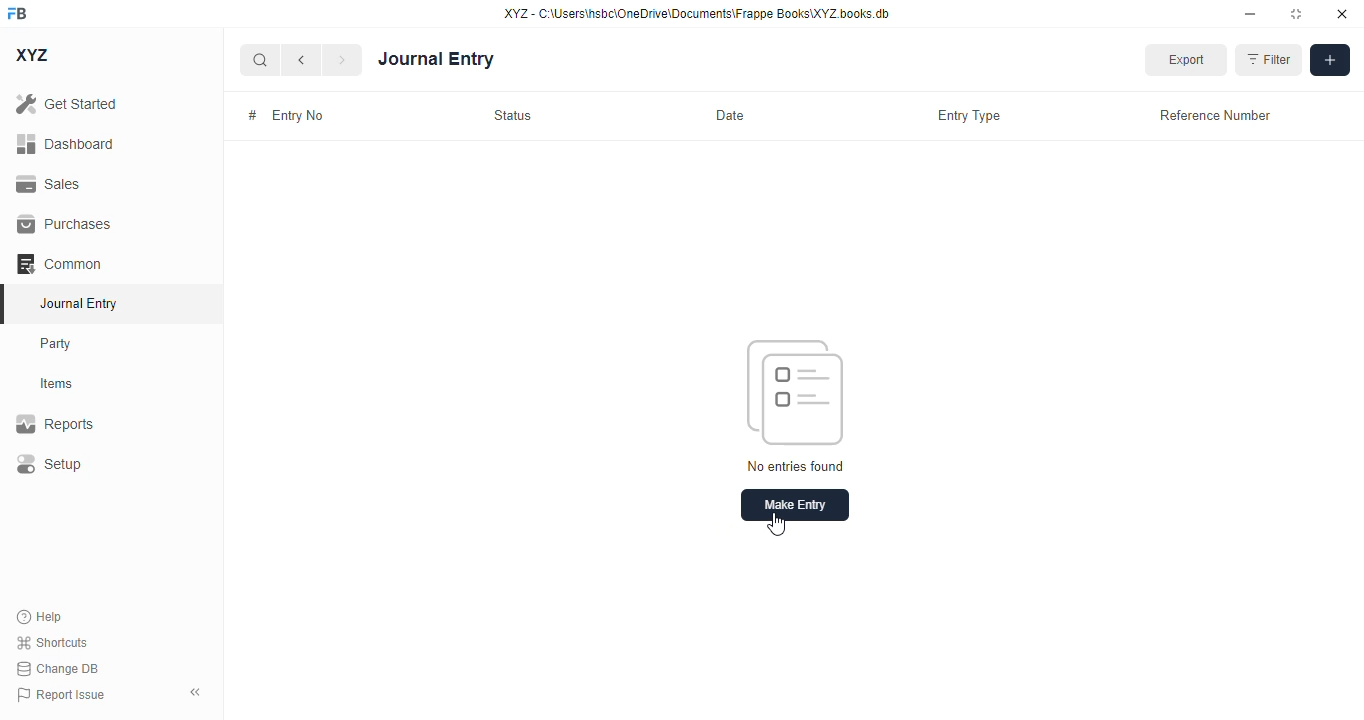 Image resolution: width=1364 pixels, height=720 pixels. I want to click on close, so click(1342, 14).